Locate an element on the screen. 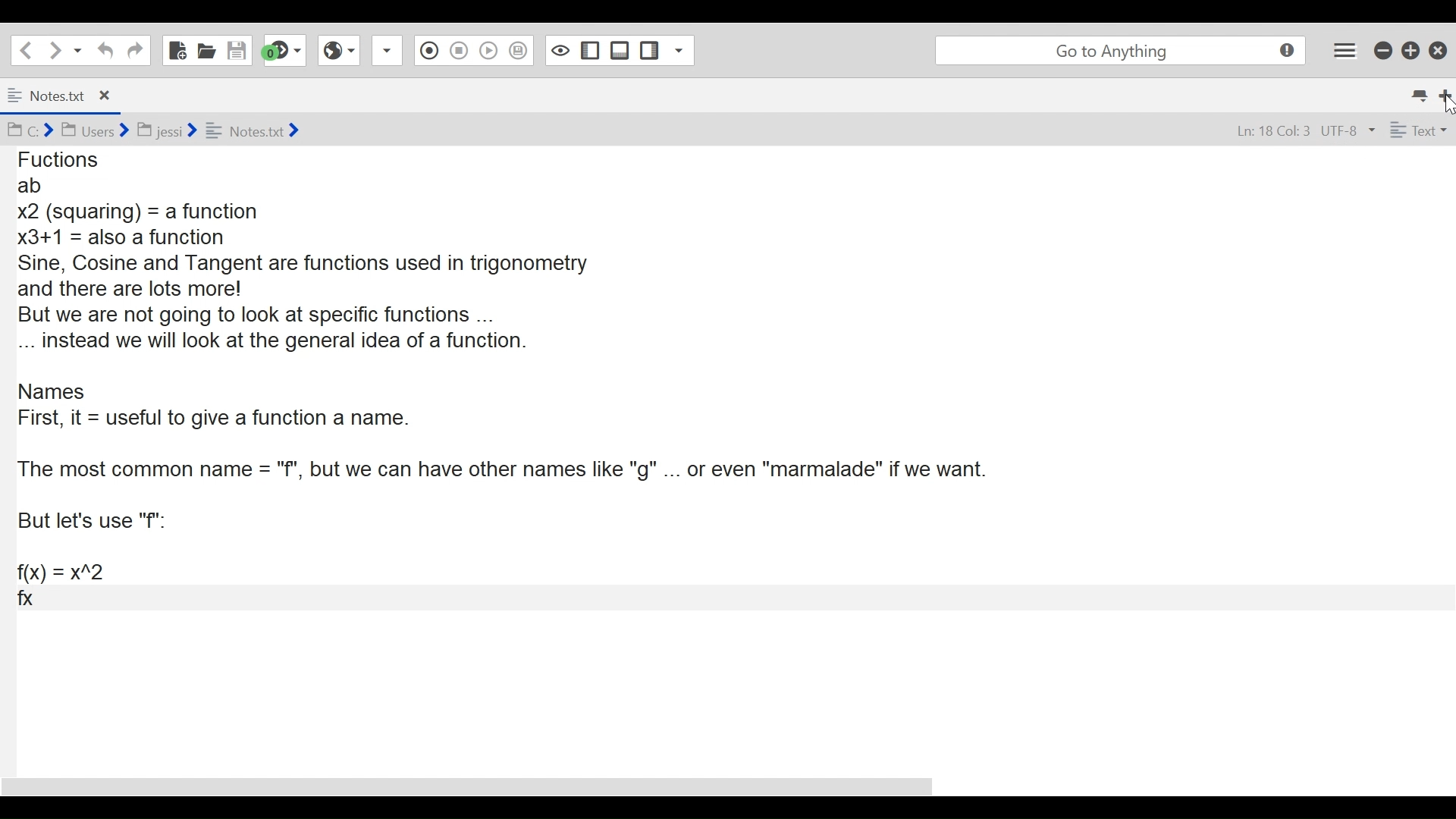 The image size is (1456, 819). Application menu is located at coordinates (1346, 50).